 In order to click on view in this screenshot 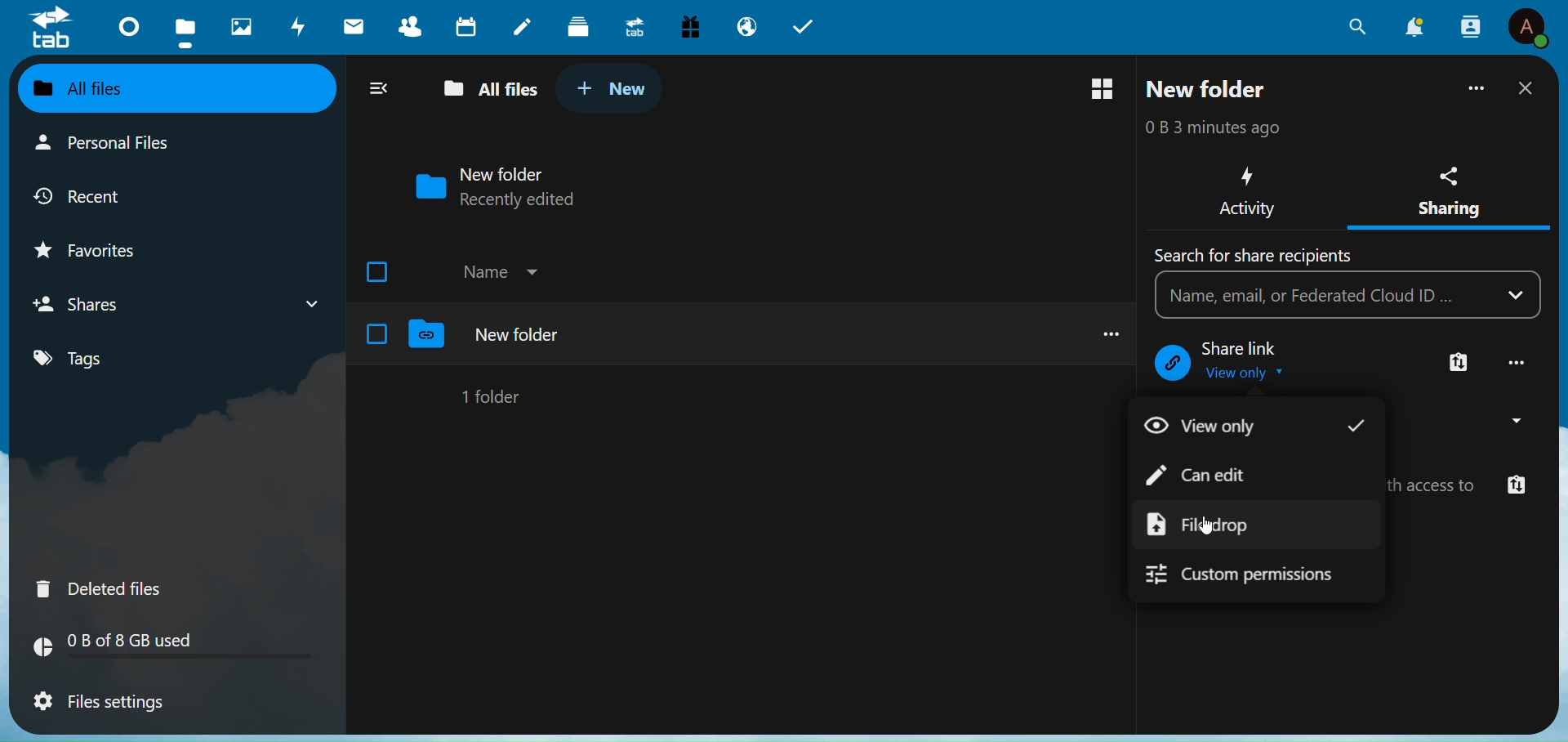, I will do `click(1206, 426)`.